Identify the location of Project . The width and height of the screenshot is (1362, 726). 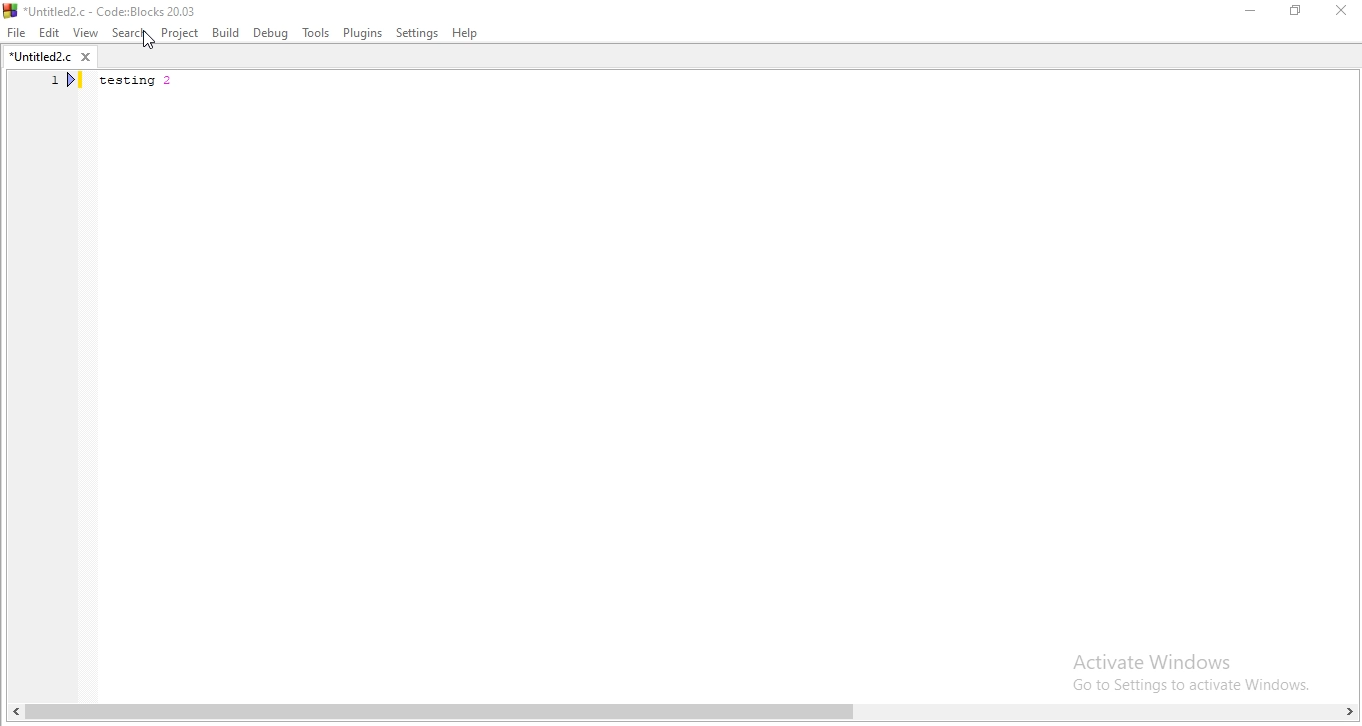
(181, 32).